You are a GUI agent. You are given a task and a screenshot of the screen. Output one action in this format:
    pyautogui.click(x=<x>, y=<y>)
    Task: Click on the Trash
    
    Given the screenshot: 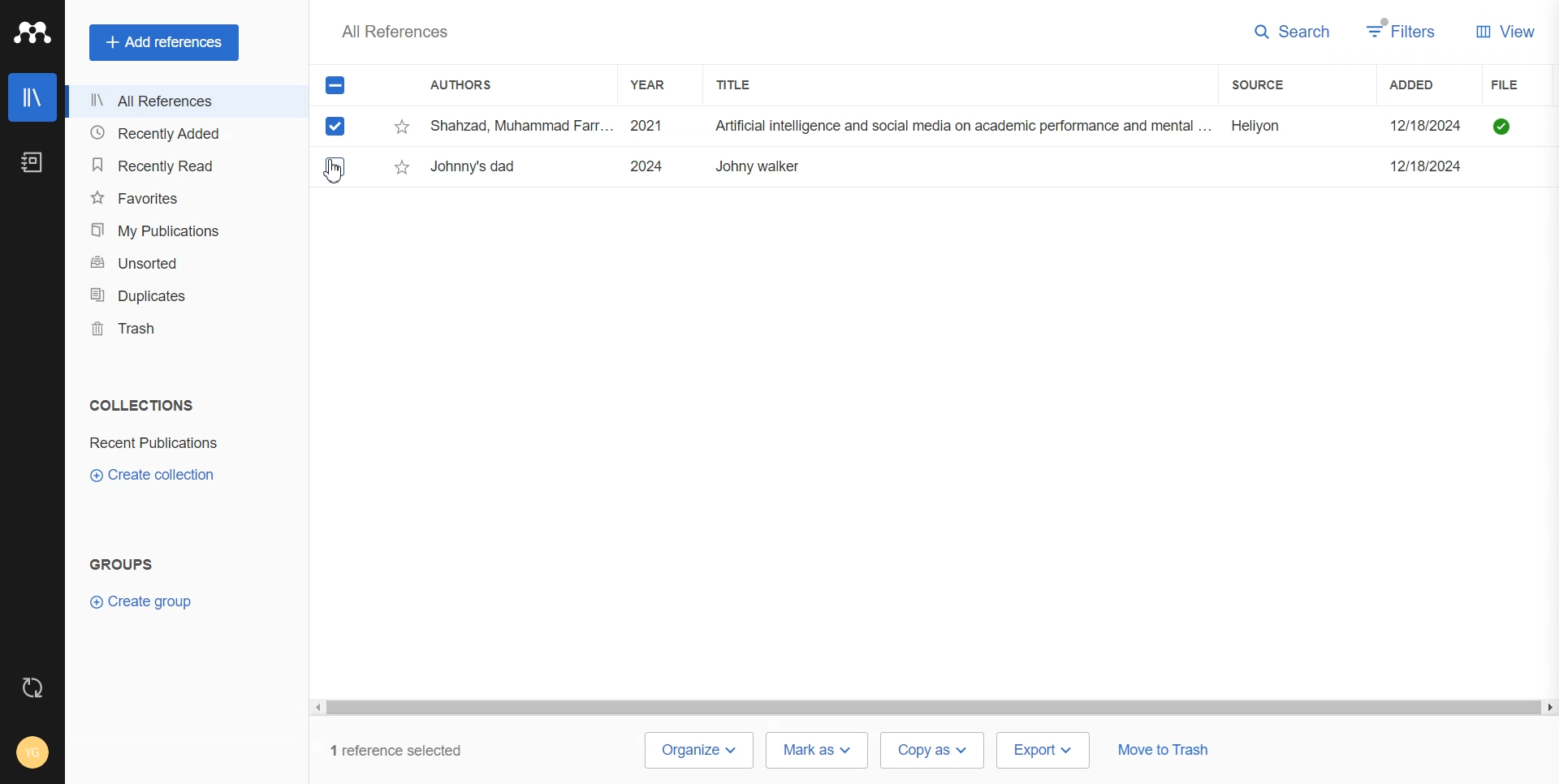 What is the action you would take?
    pyautogui.click(x=180, y=328)
    